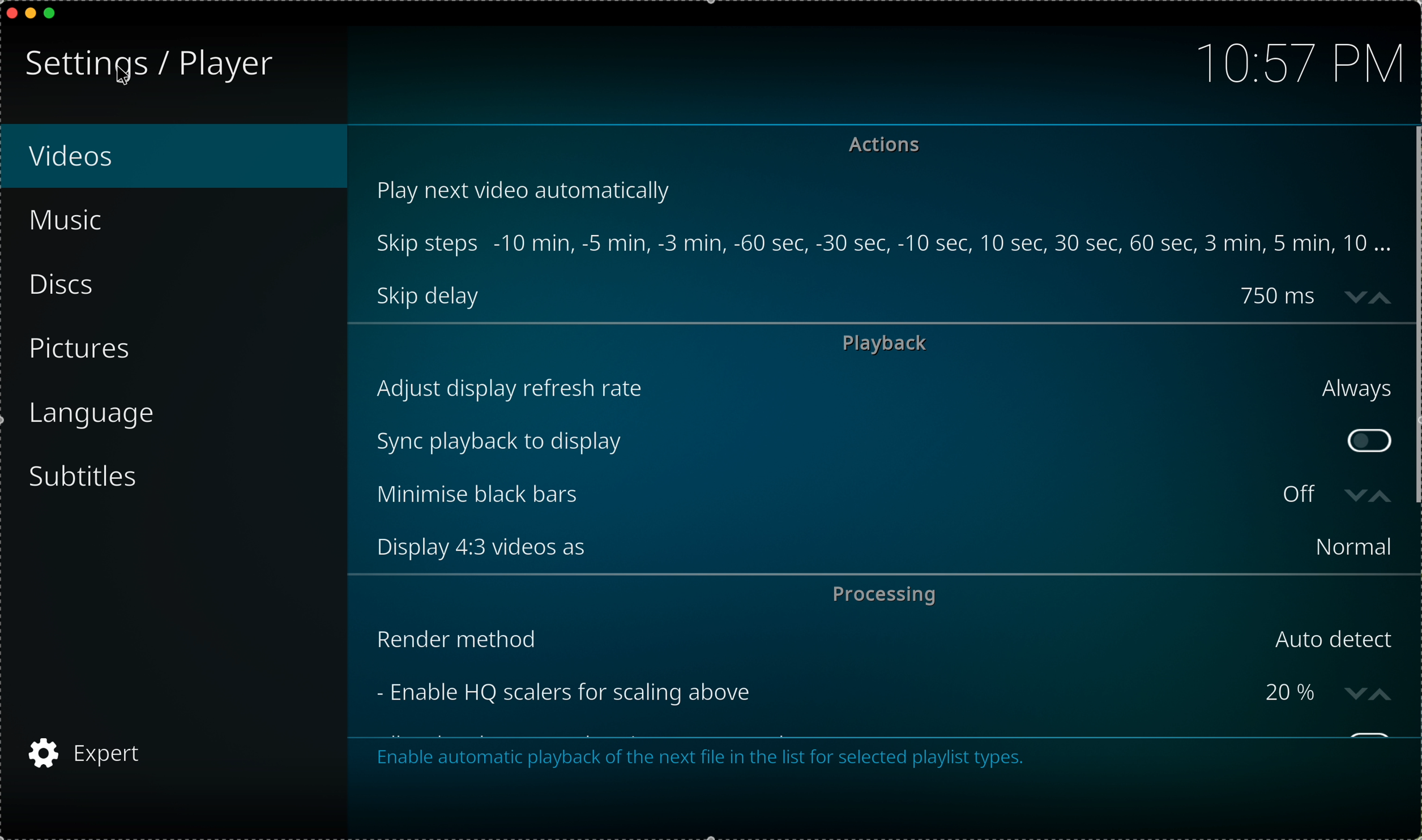 This screenshot has width=1422, height=840. What do you see at coordinates (1373, 693) in the screenshot?
I see `change value` at bounding box center [1373, 693].